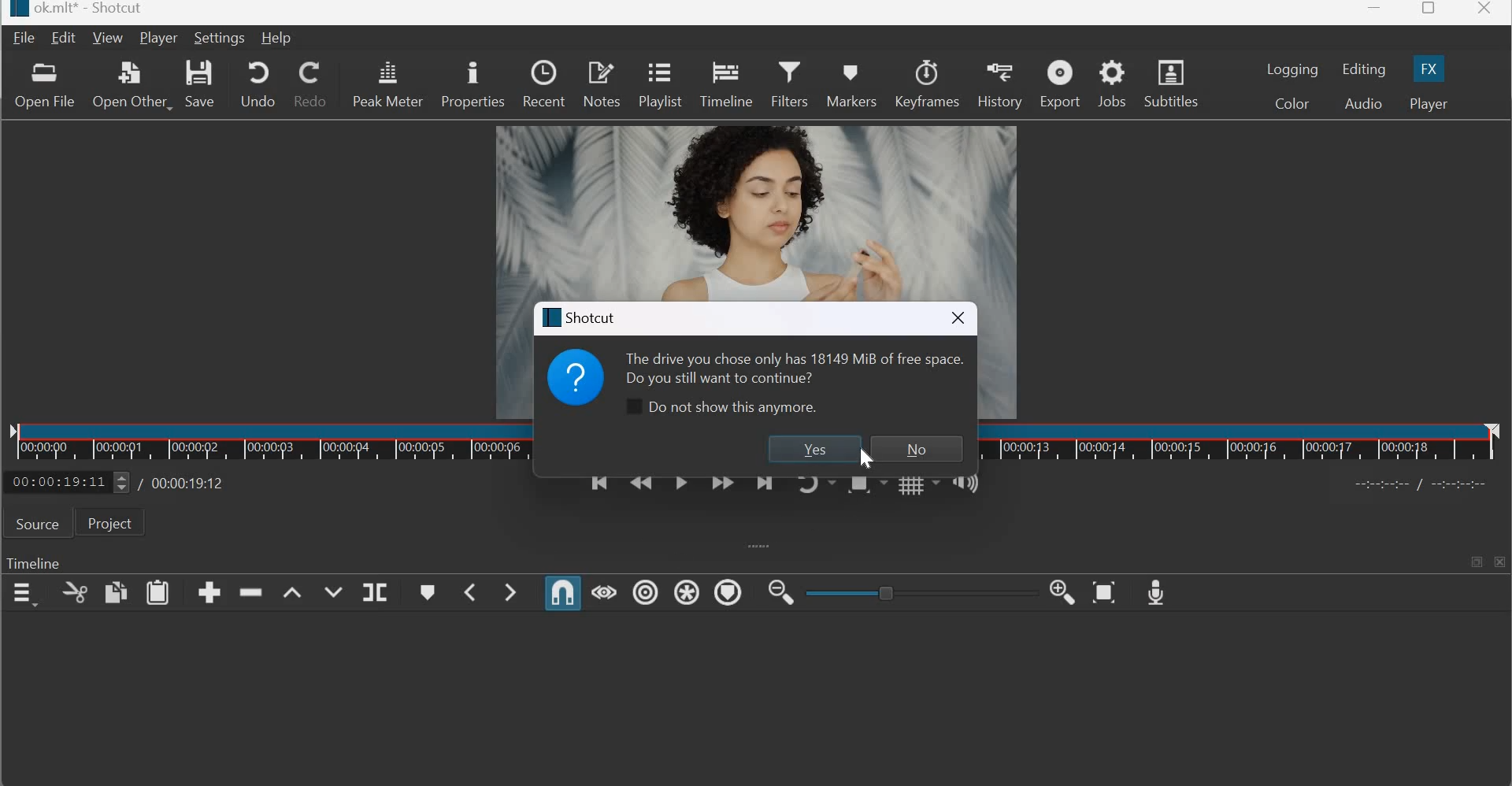  What do you see at coordinates (687, 591) in the screenshot?
I see `Ripple all tracks` at bounding box center [687, 591].